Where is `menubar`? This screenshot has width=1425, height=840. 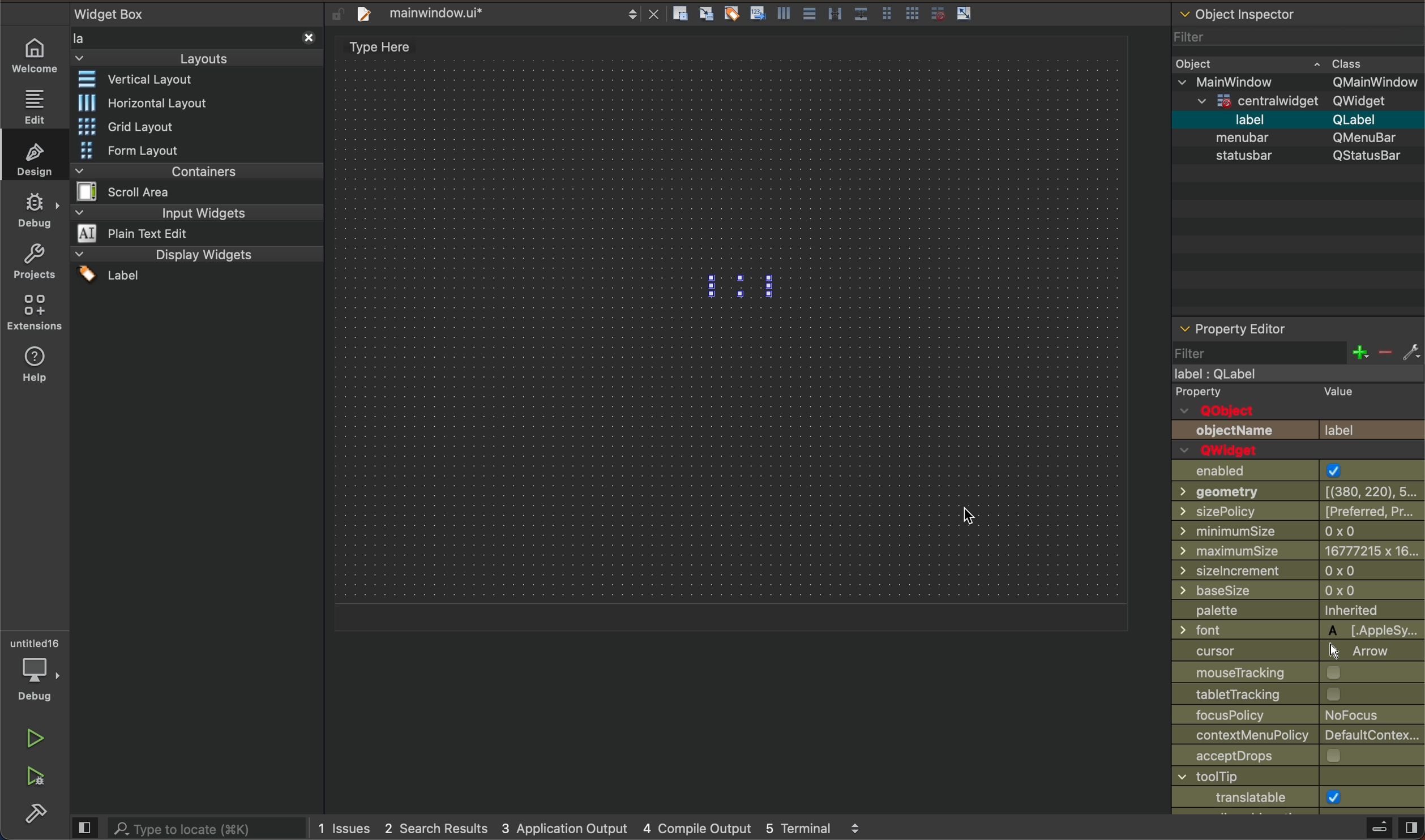
menubar is located at coordinates (1302, 138).